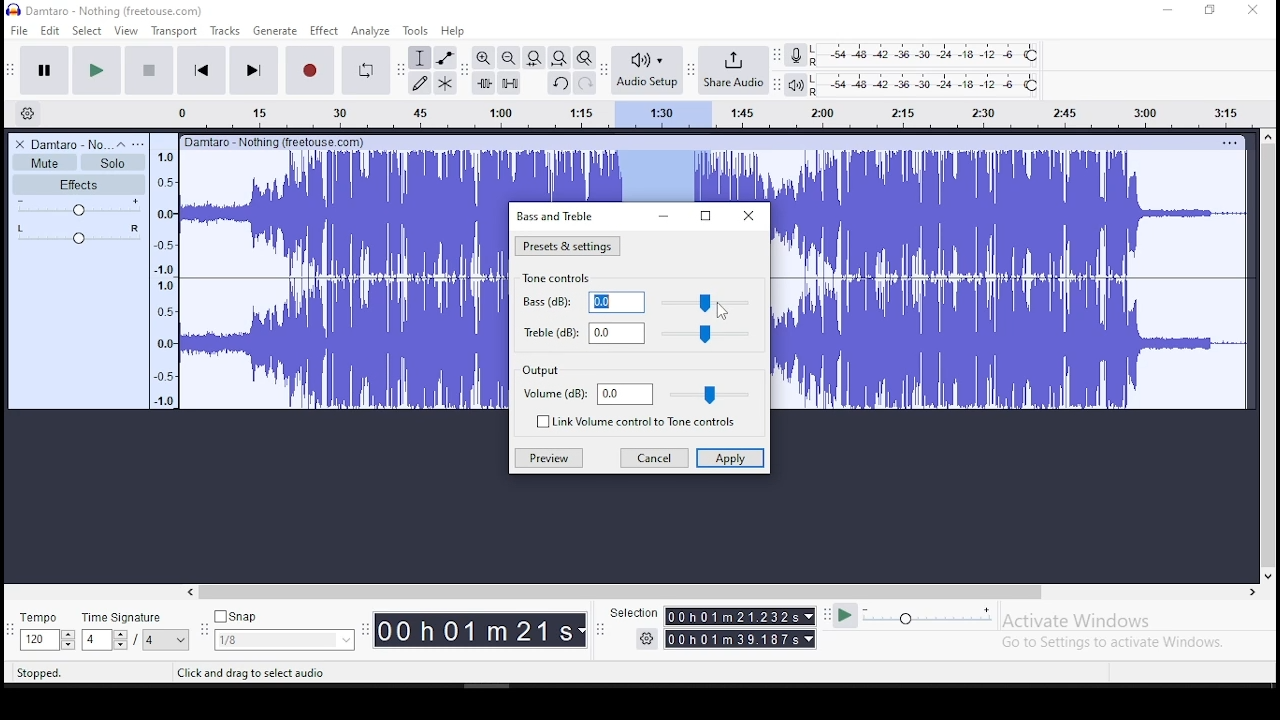 Image resolution: width=1280 pixels, height=720 pixels. Describe the element at coordinates (640, 176) in the screenshot. I see `track's timing` at that location.